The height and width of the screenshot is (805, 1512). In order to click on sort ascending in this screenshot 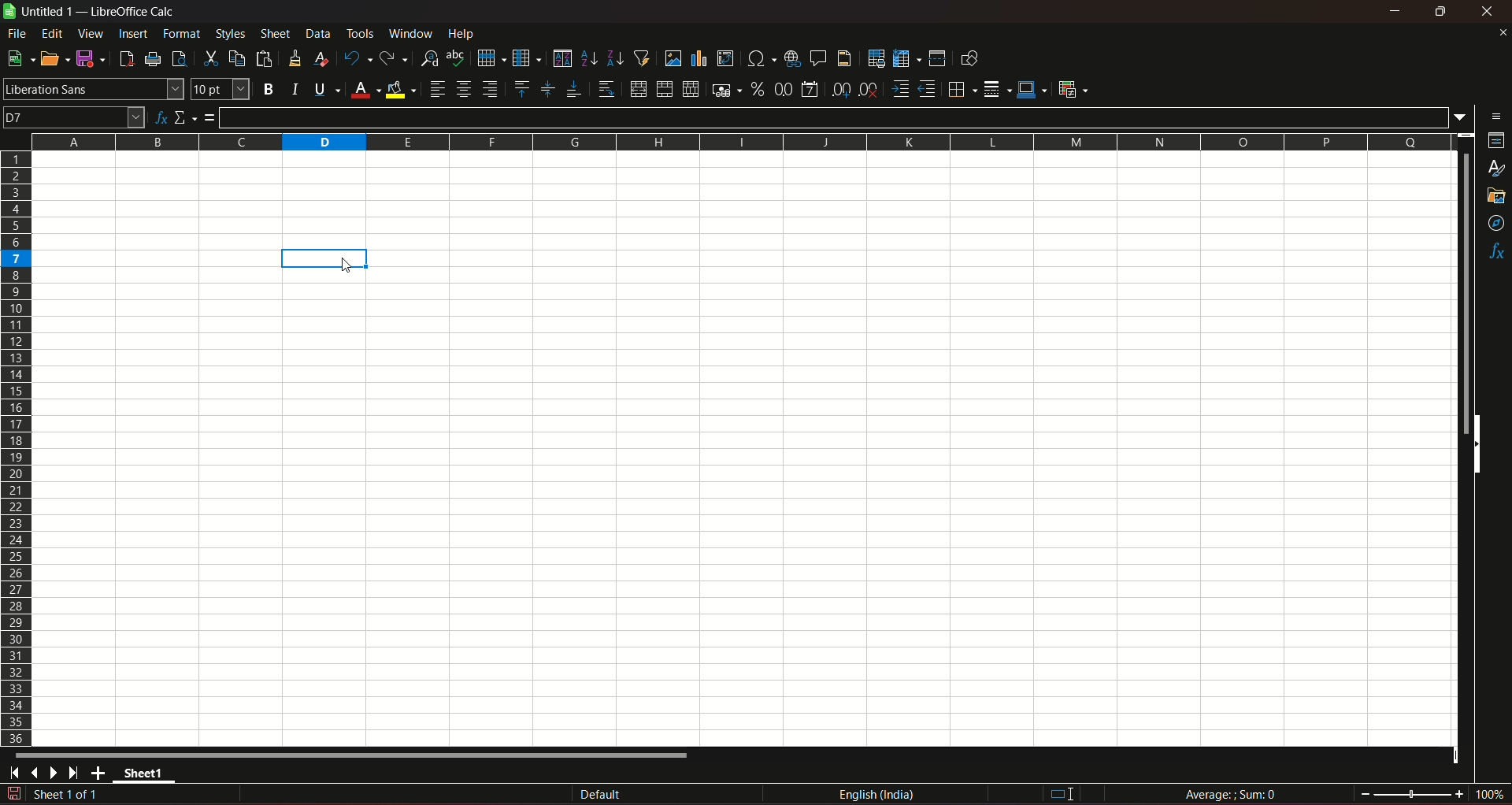, I will do `click(590, 57)`.